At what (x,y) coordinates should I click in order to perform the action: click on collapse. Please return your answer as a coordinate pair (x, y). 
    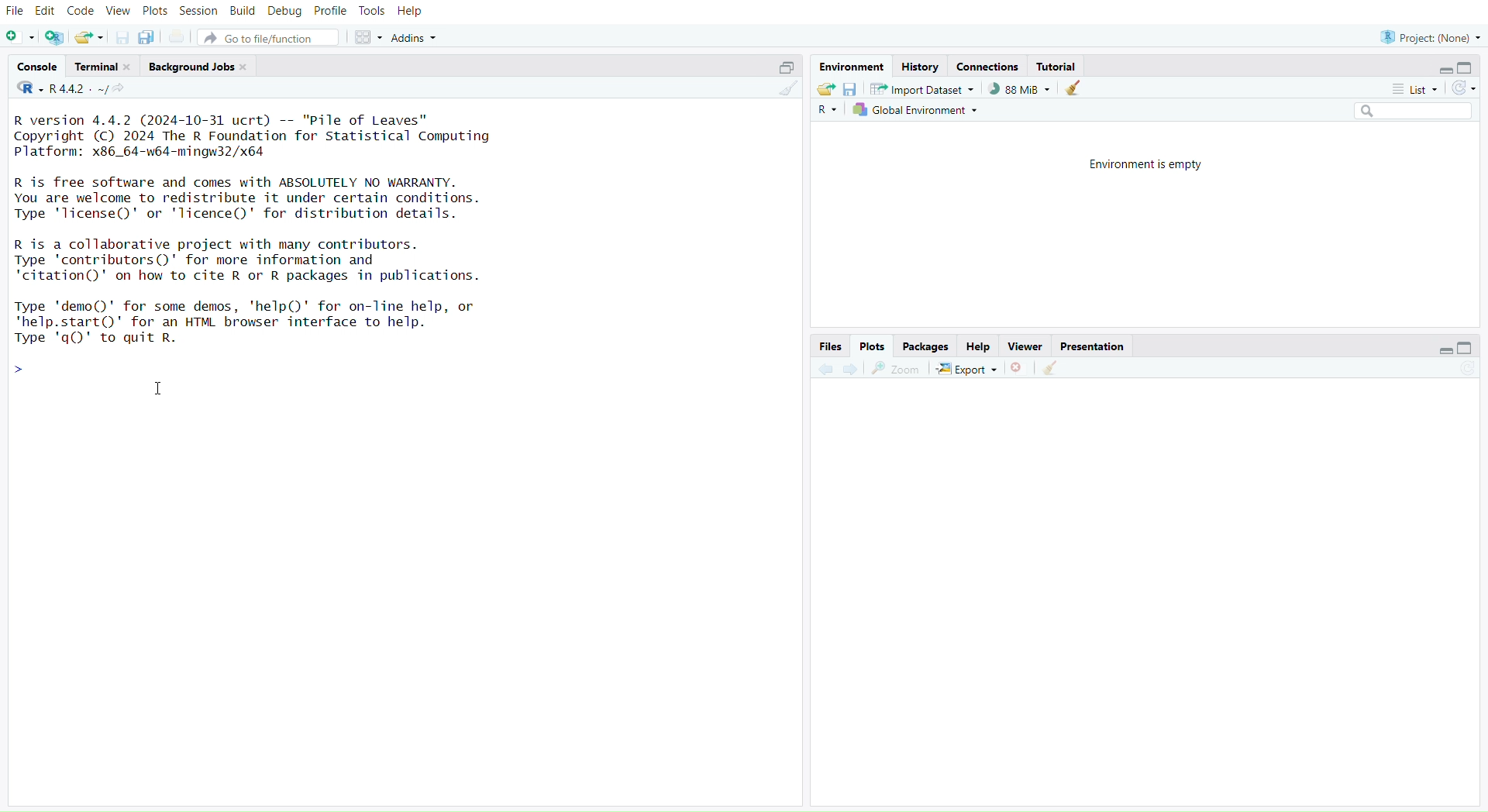
    Looking at the image, I should click on (783, 68).